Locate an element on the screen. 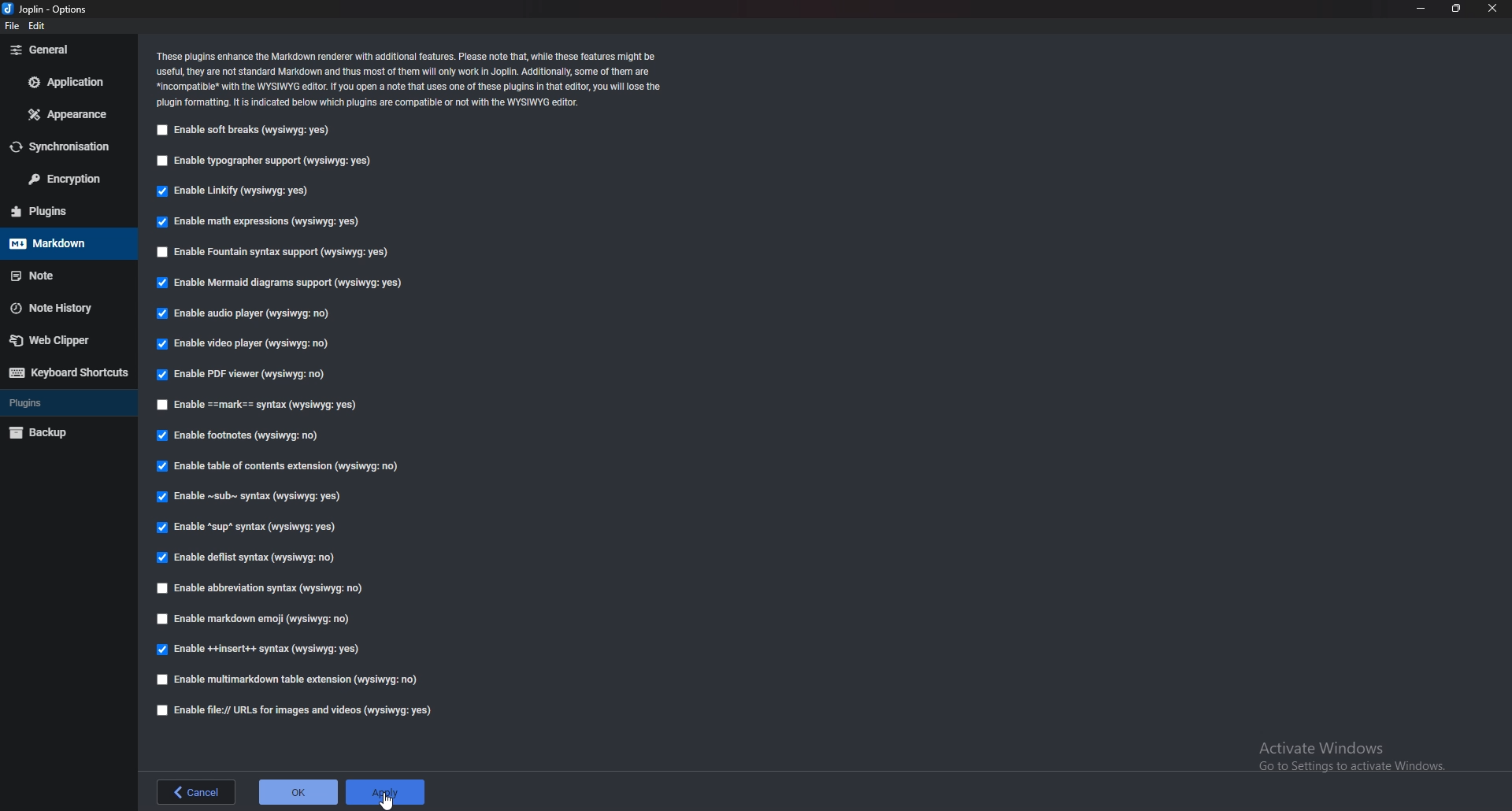  ok is located at coordinates (298, 791).